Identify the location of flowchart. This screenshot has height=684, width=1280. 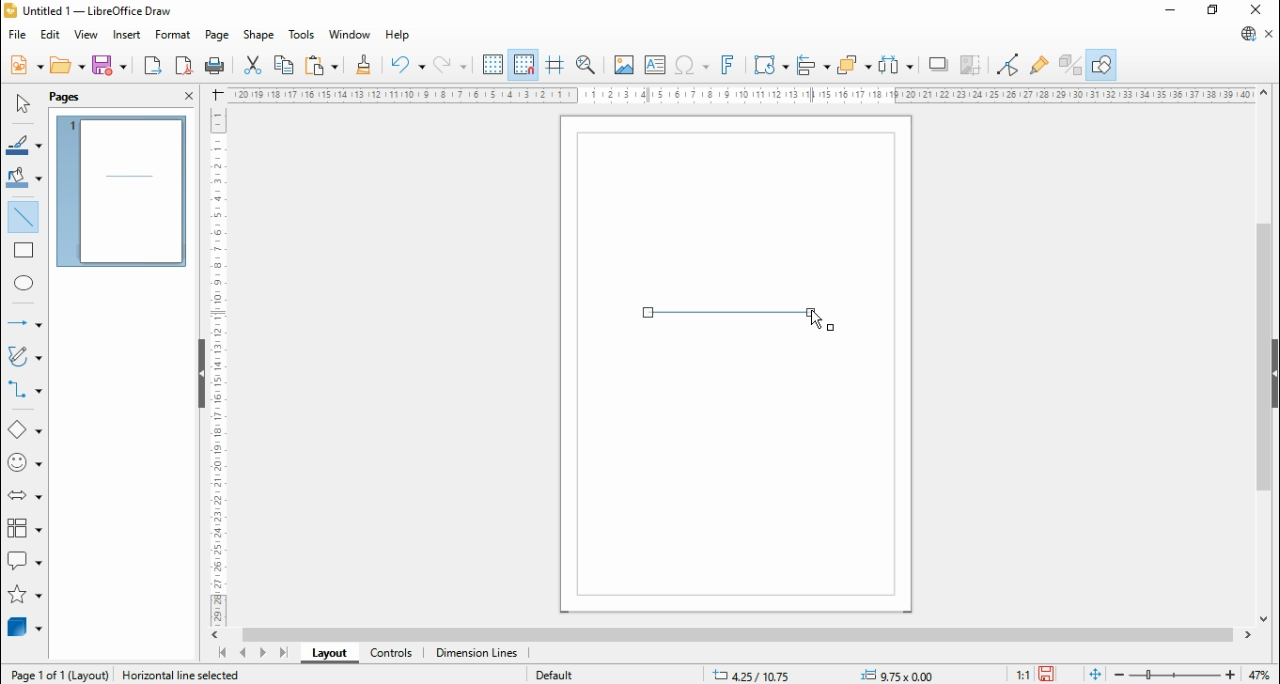
(24, 529).